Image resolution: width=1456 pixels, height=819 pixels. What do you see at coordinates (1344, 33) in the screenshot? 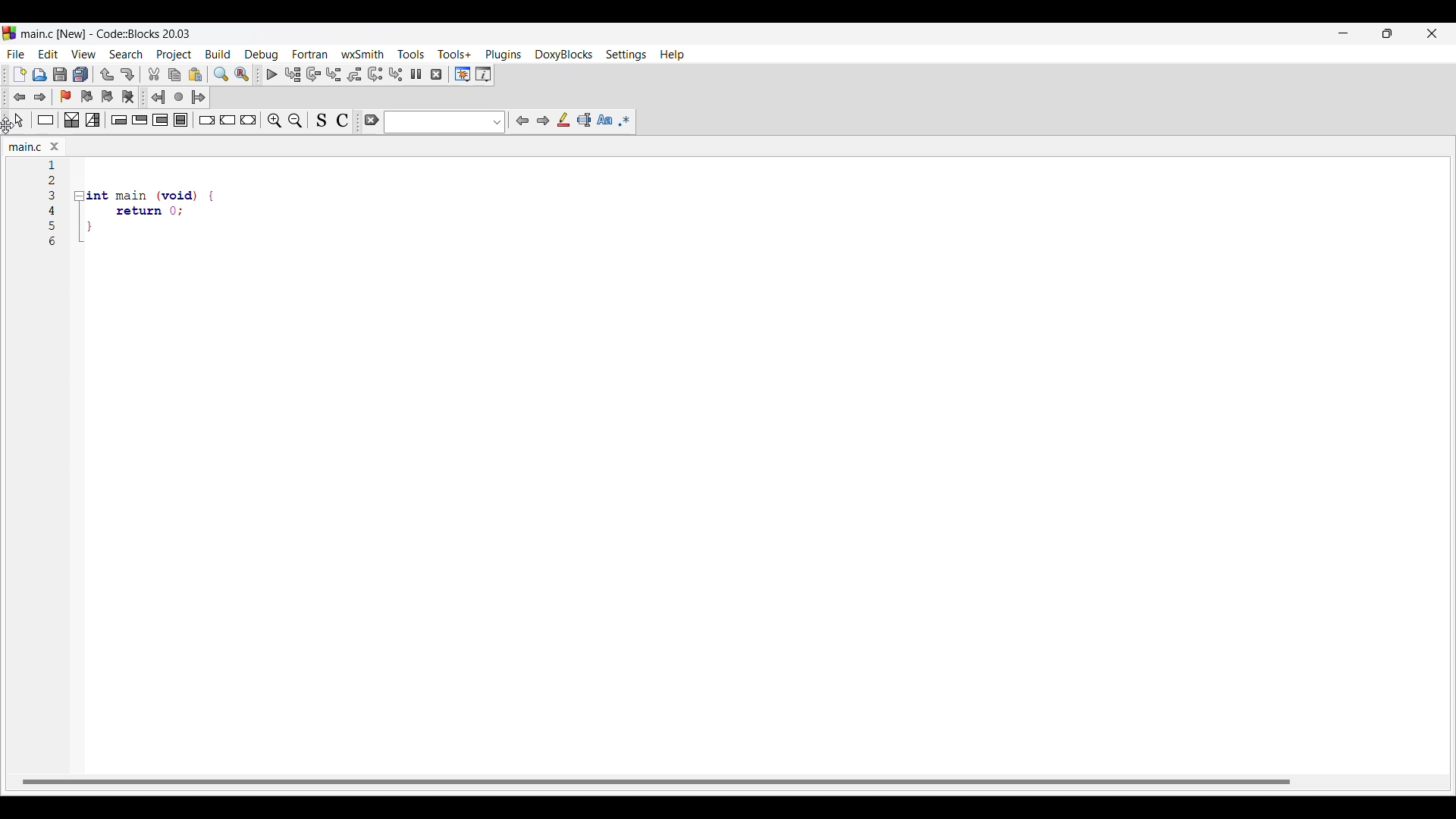
I see `Minimize` at bounding box center [1344, 33].